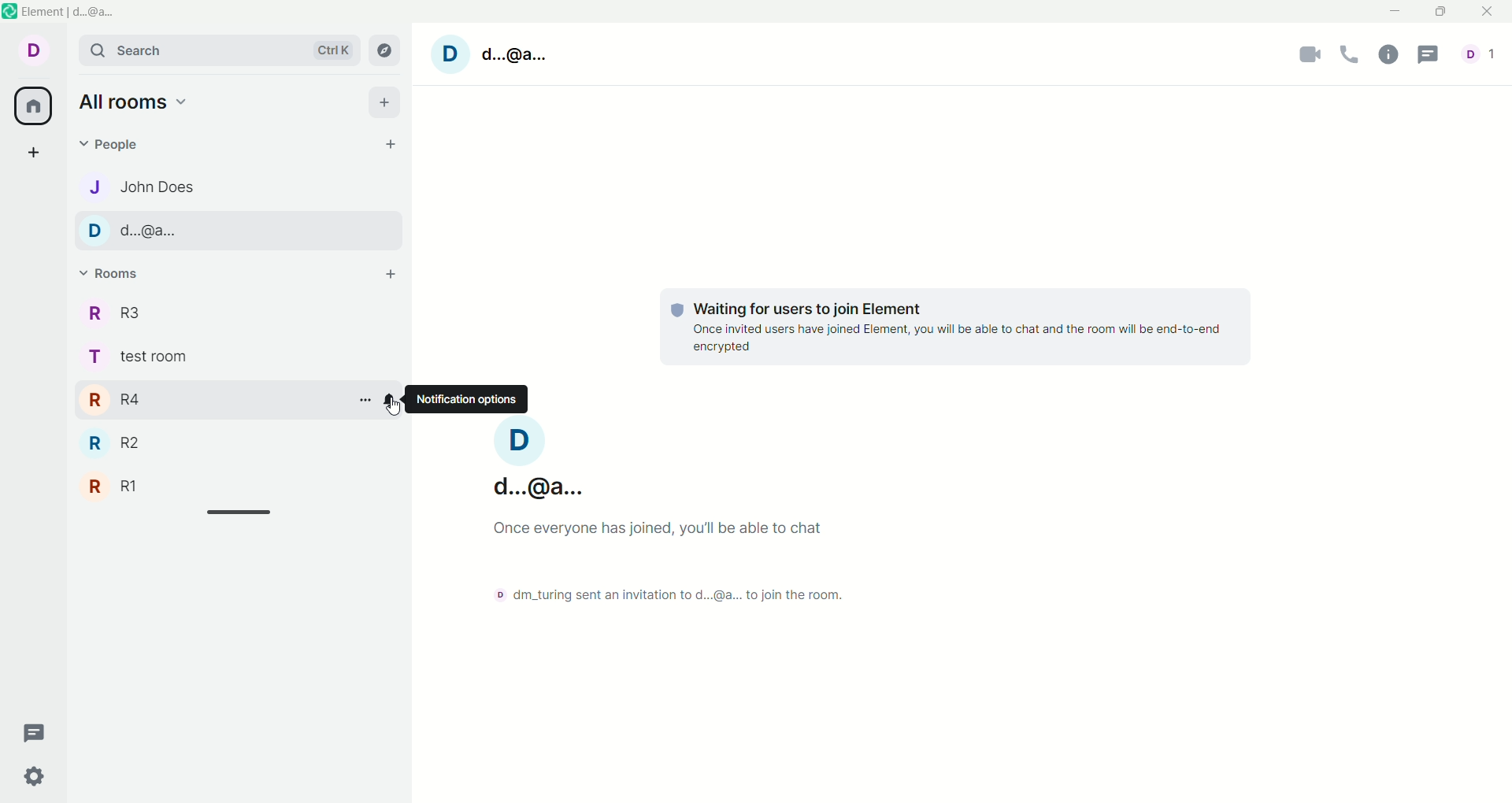 The image size is (1512, 803). I want to click on dm_turing sent an invitation to current account to join the room, so click(667, 595).